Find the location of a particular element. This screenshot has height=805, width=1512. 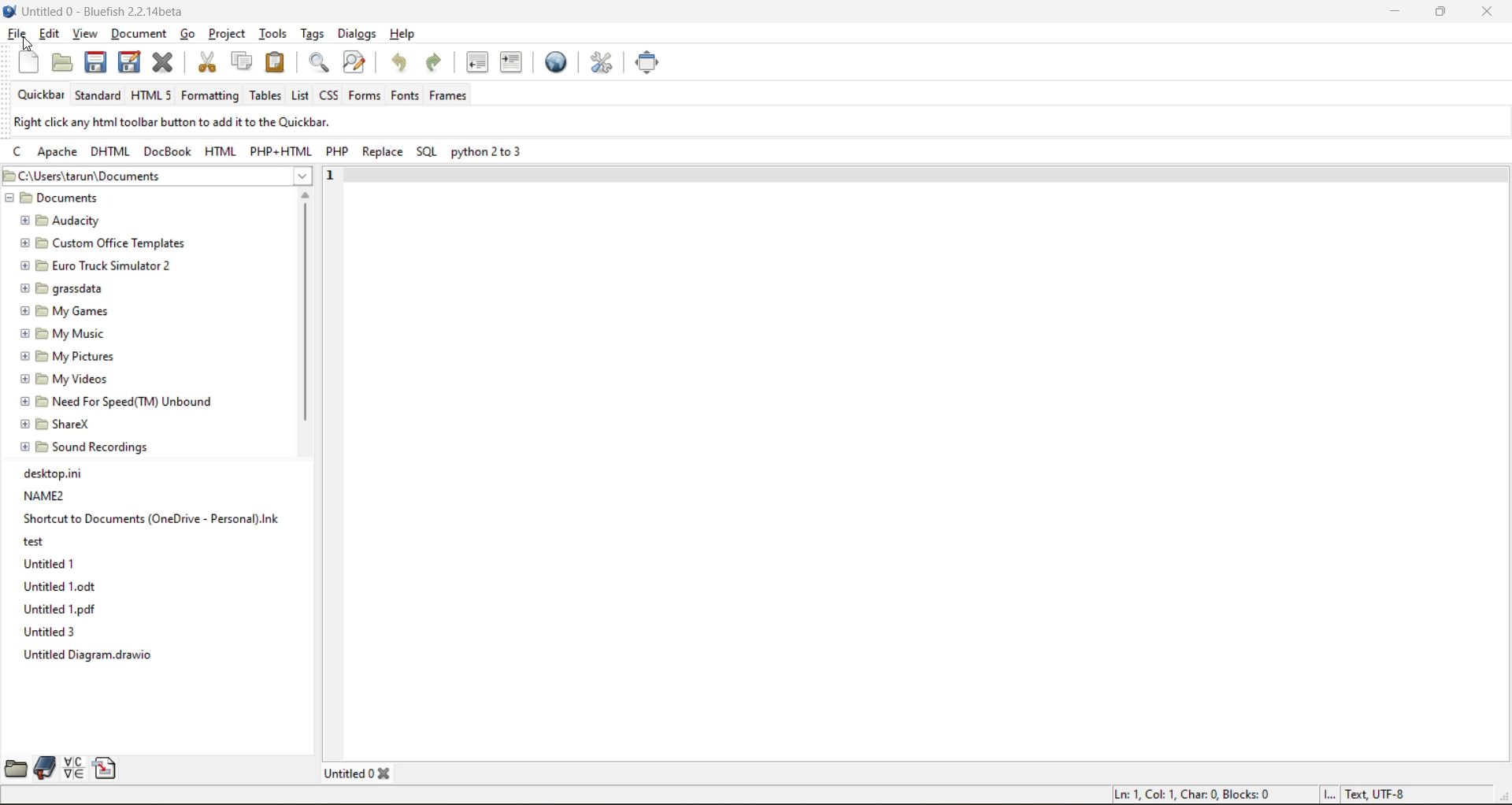

php html is located at coordinates (284, 153).